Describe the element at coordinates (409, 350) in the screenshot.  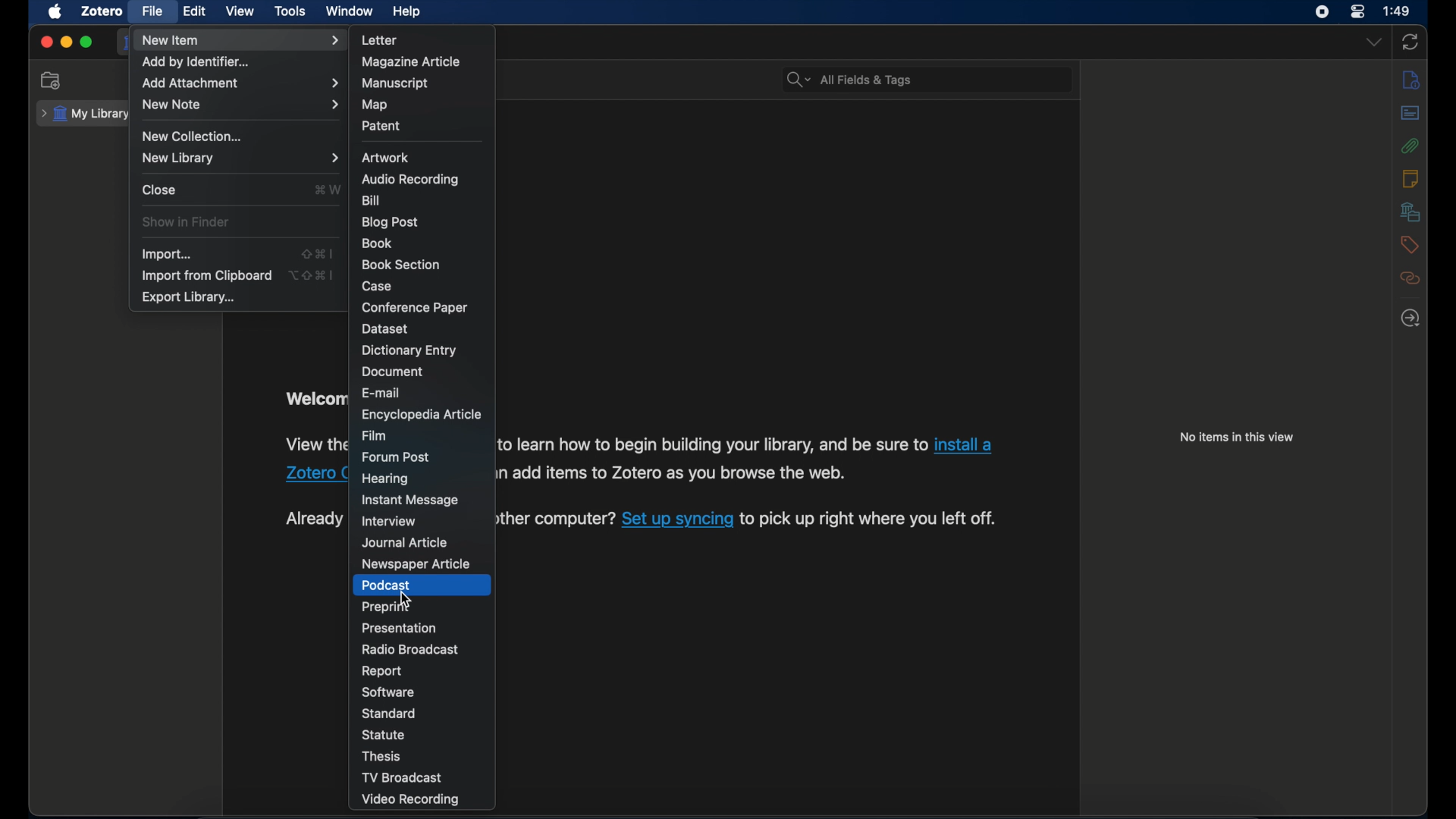
I see `dictionary entry` at that location.